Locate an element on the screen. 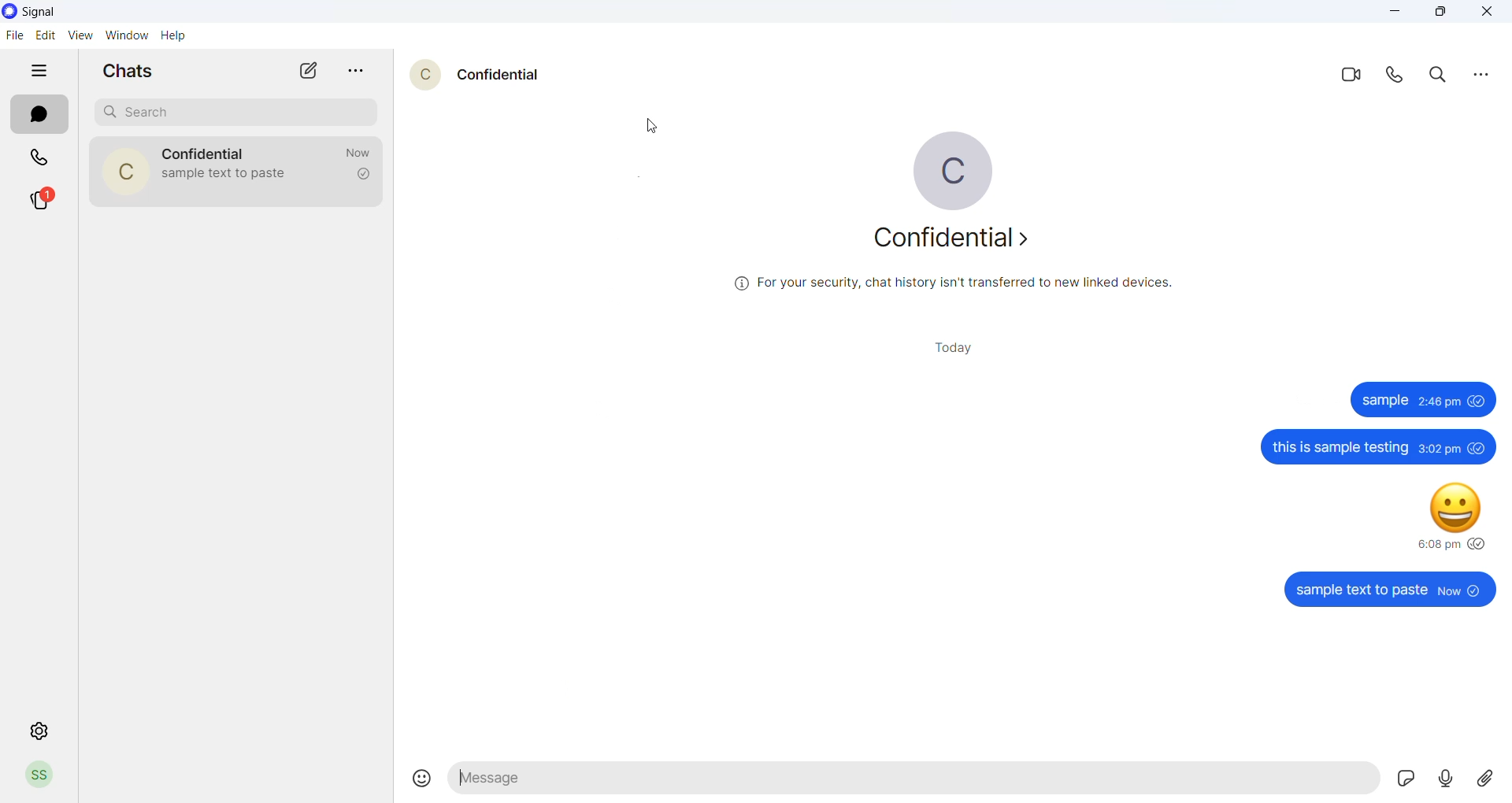  new chat is located at coordinates (309, 71).